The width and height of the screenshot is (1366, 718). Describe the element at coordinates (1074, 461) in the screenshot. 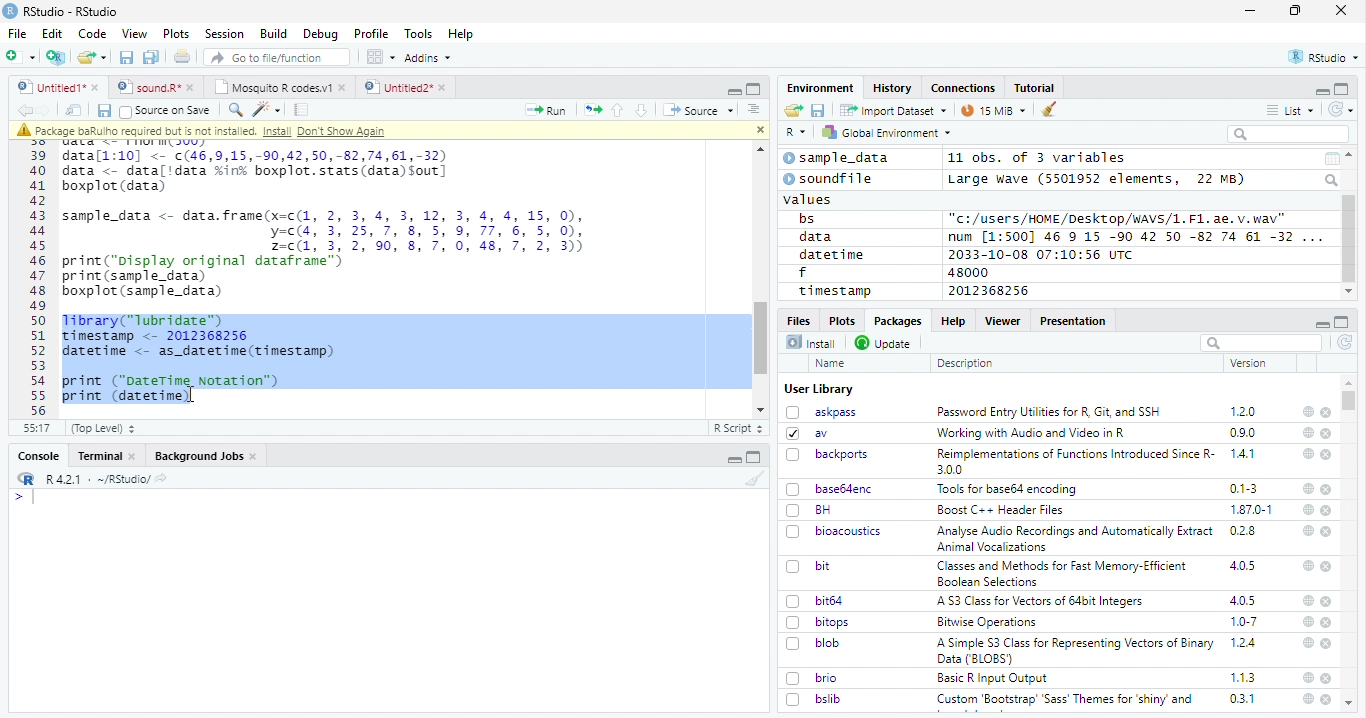

I see `Reimplementations of Functions Introduced Since R-
300` at that location.